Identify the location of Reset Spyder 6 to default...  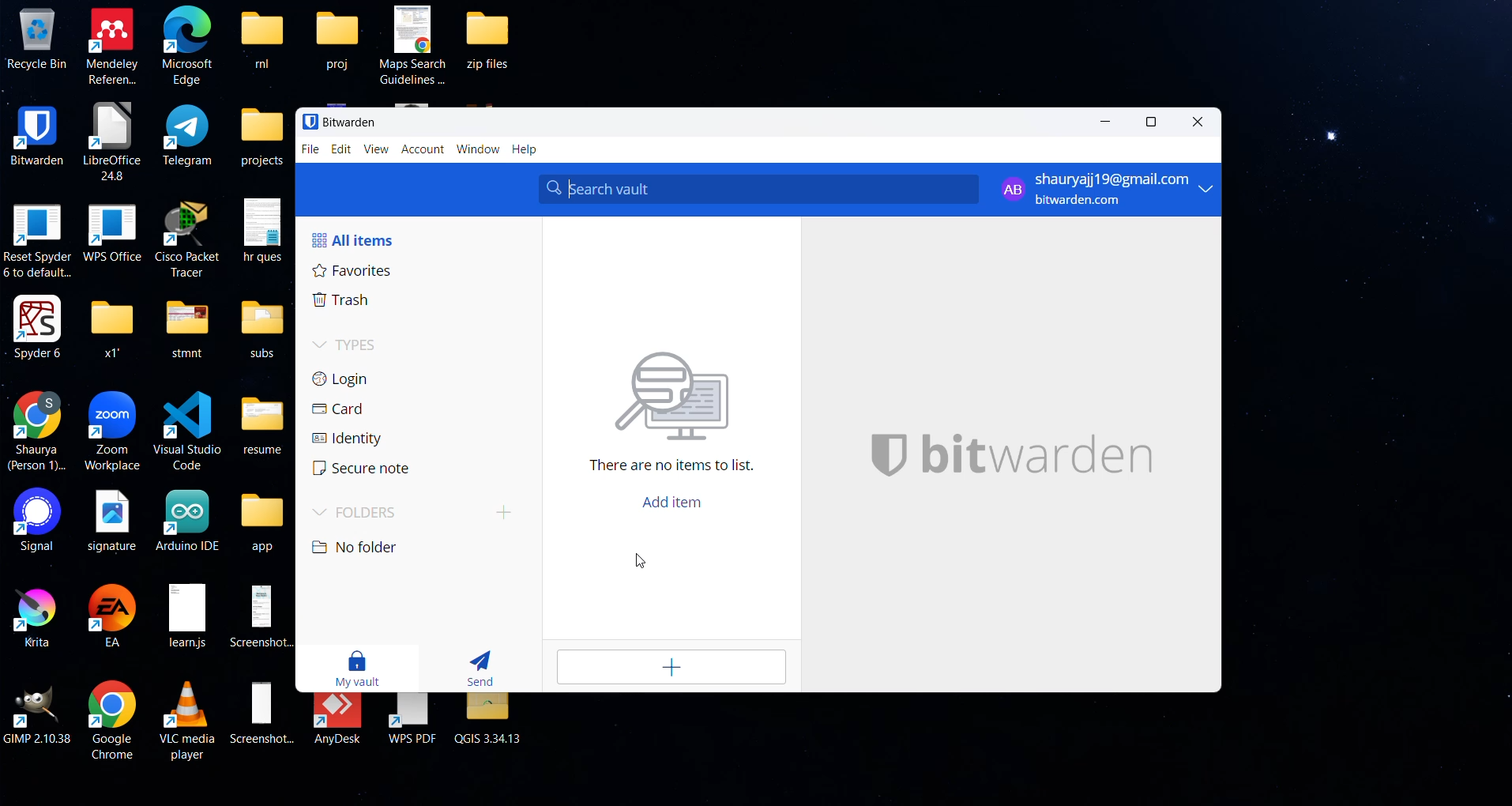
(37, 240).